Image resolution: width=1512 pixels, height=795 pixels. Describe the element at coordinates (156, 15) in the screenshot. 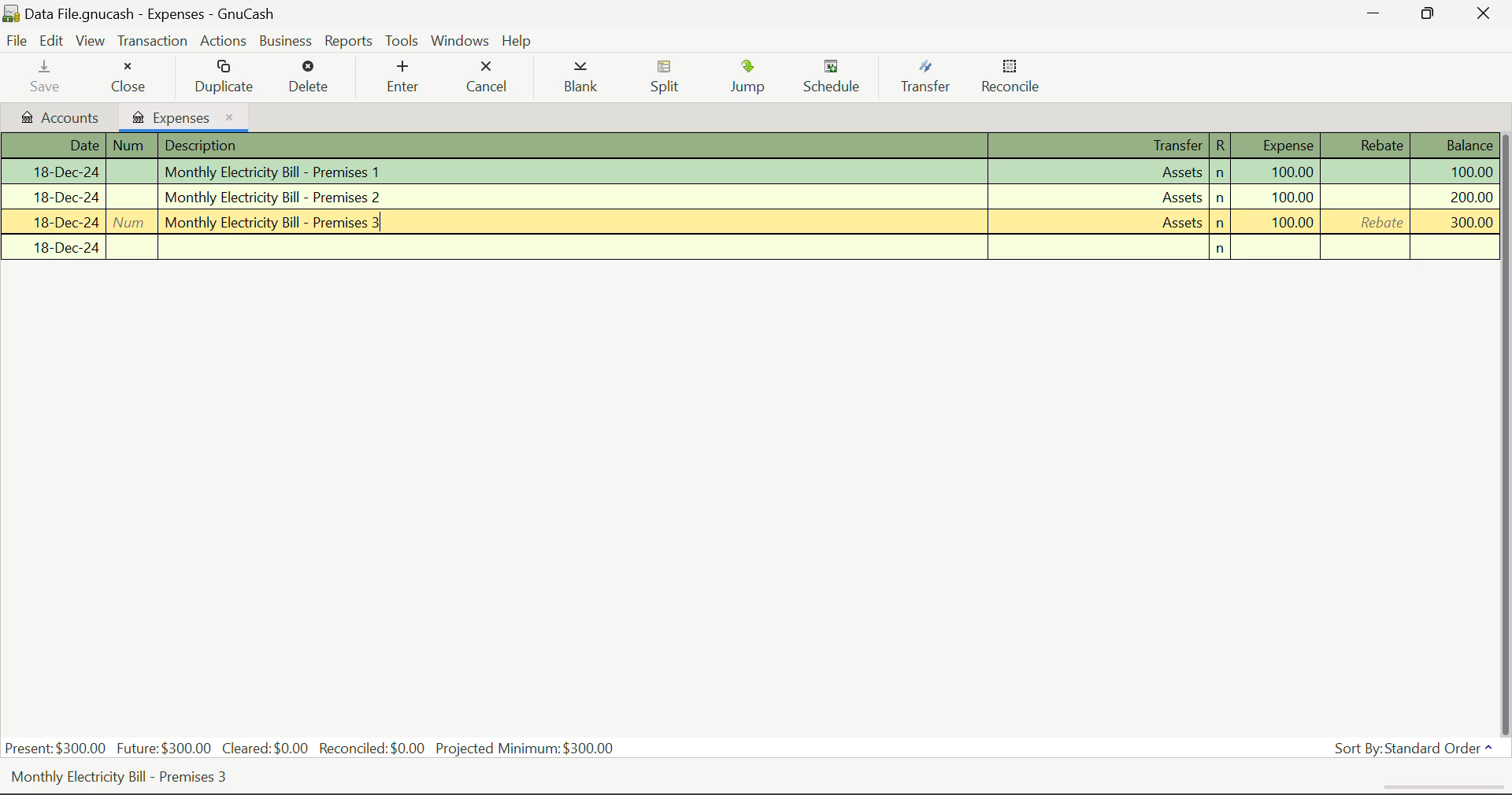

I see `Data File.gnucash - Accounts - Gnucash` at that location.